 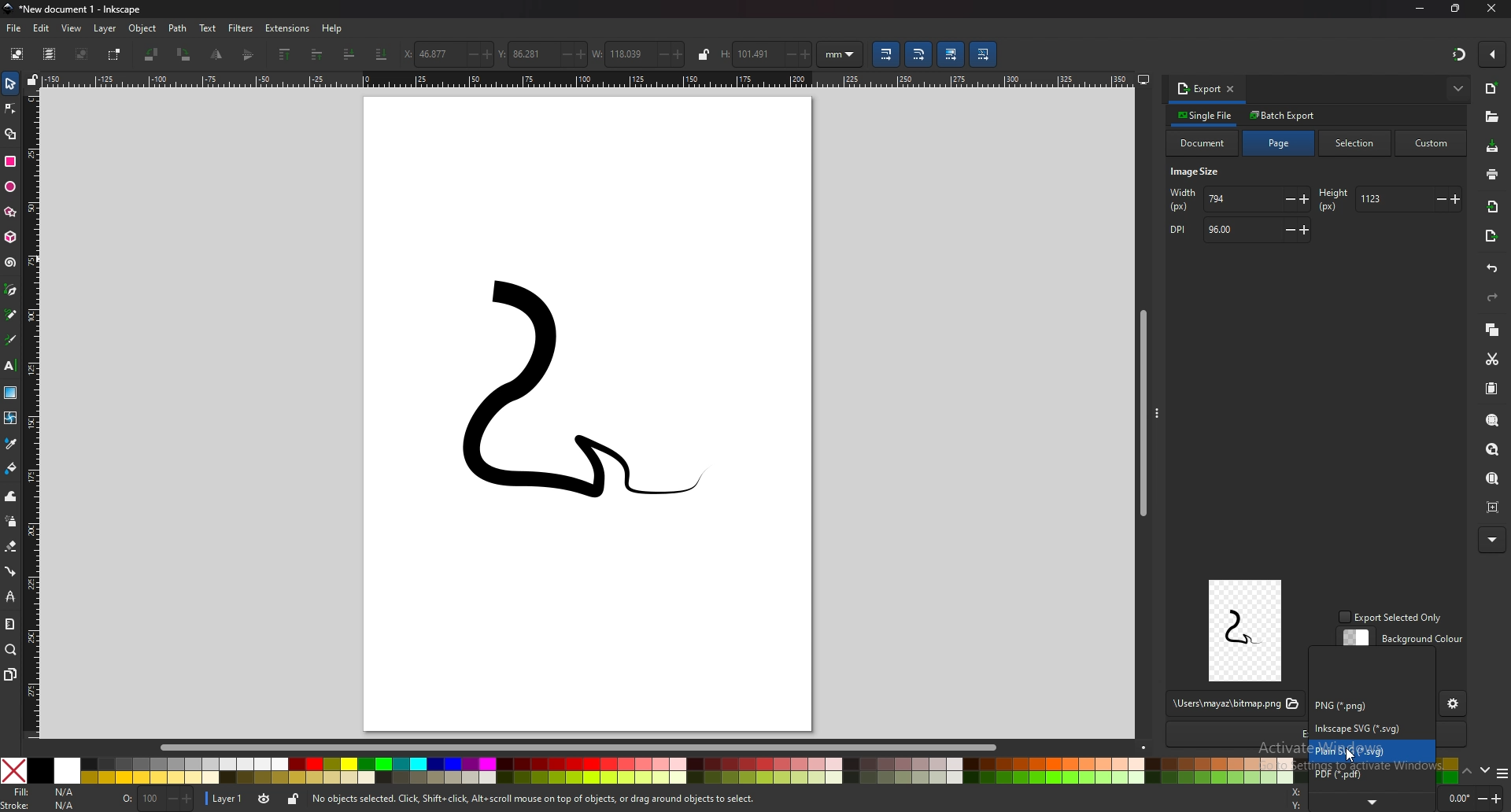 What do you see at coordinates (11, 366) in the screenshot?
I see `text` at bounding box center [11, 366].